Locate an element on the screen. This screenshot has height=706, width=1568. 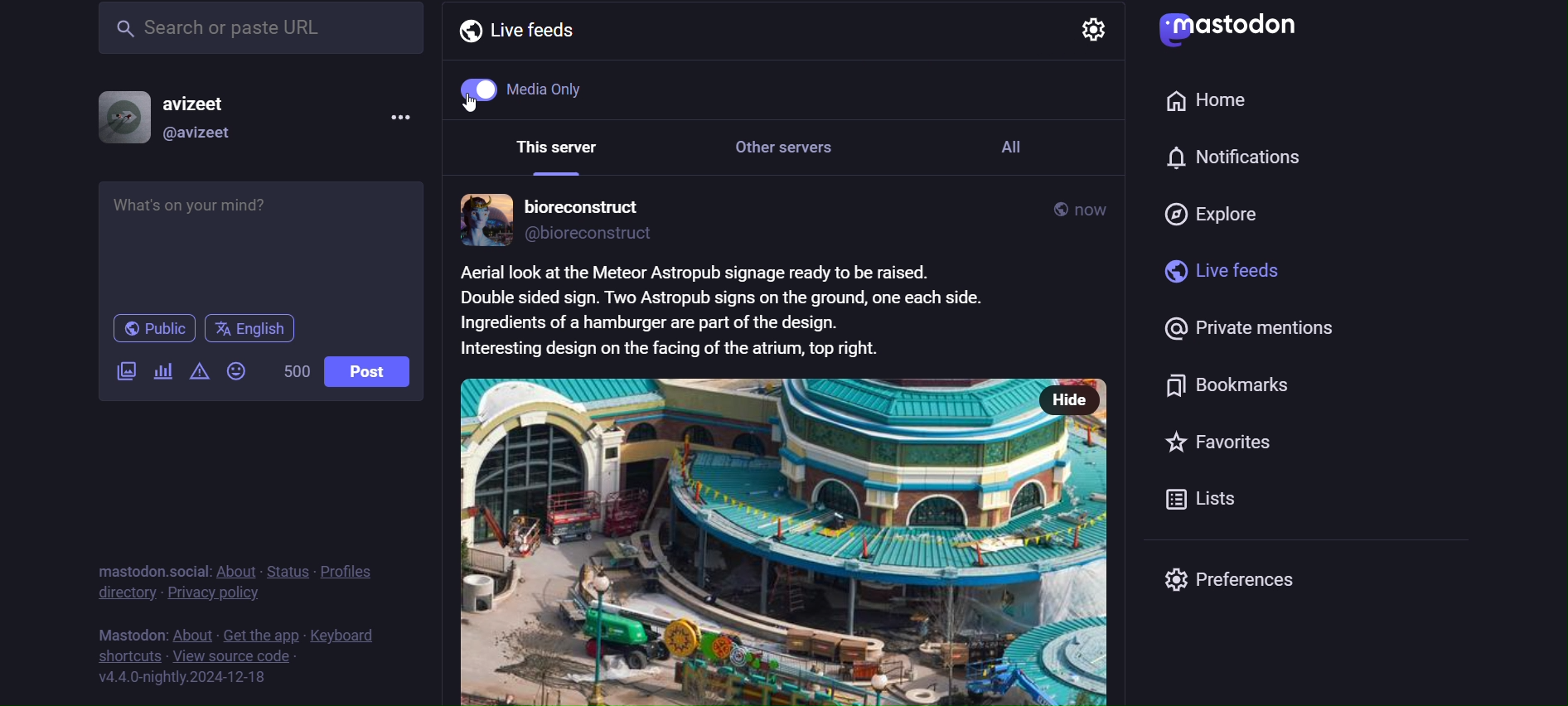
post picture is located at coordinates (735, 540).